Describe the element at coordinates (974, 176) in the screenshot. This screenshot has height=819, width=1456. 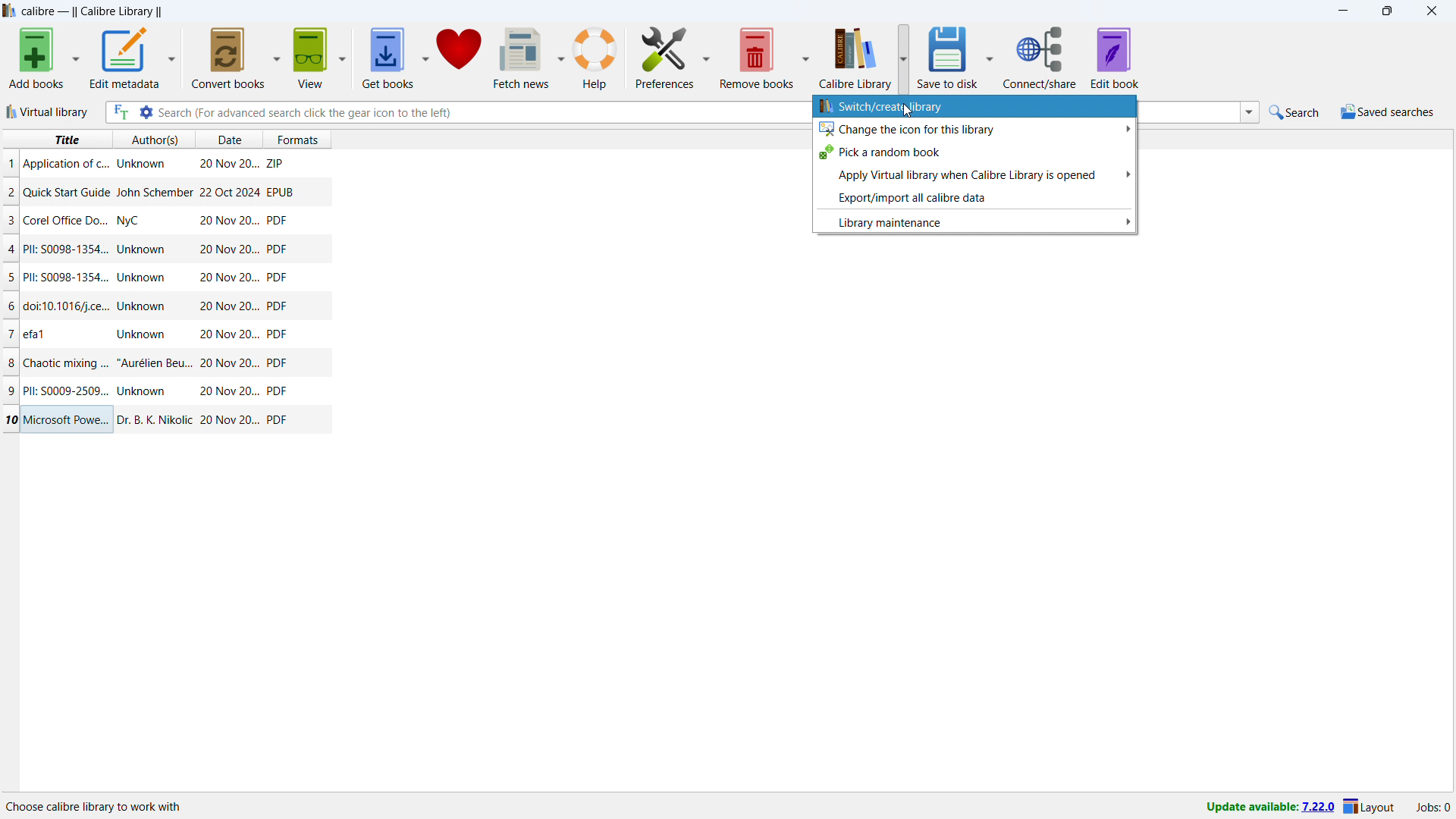
I see `apply virtual library when calibre library is opened` at that location.